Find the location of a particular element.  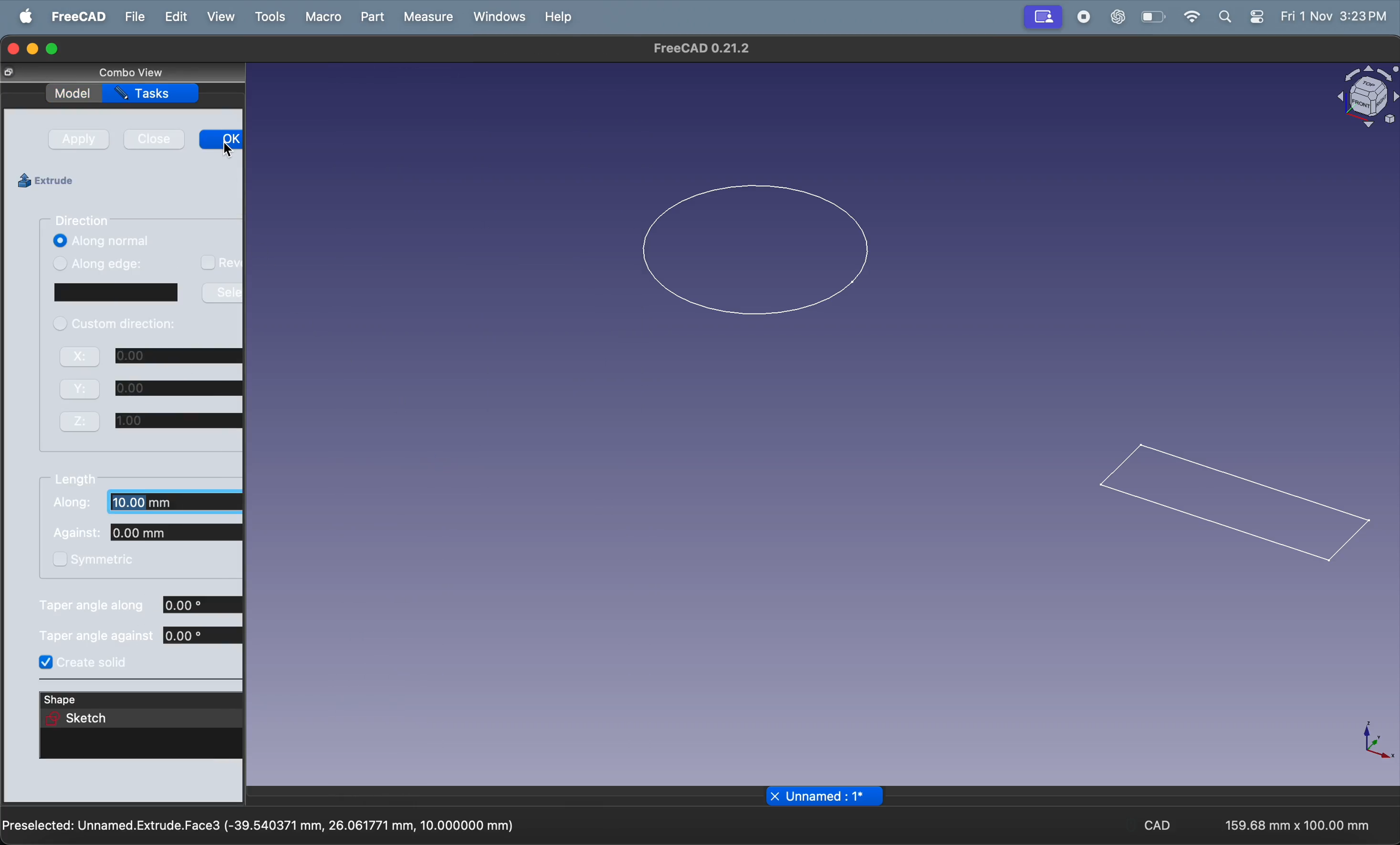

battery is located at coordinates (1152, 18).